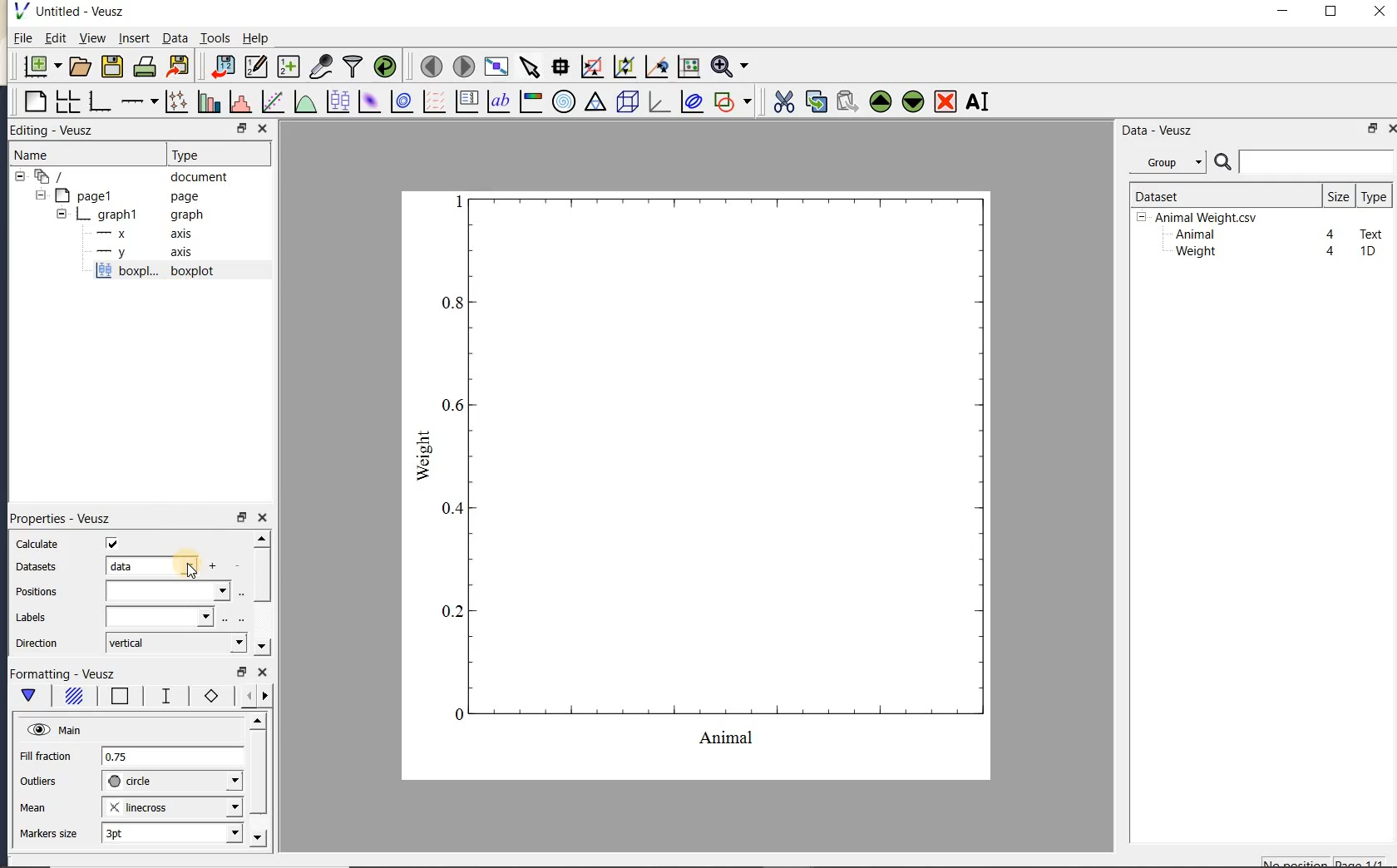 The image size is (1397, 868). Describe the element at coordinates (595, 104) in the screenshot. I see `ternary graph` at that location.